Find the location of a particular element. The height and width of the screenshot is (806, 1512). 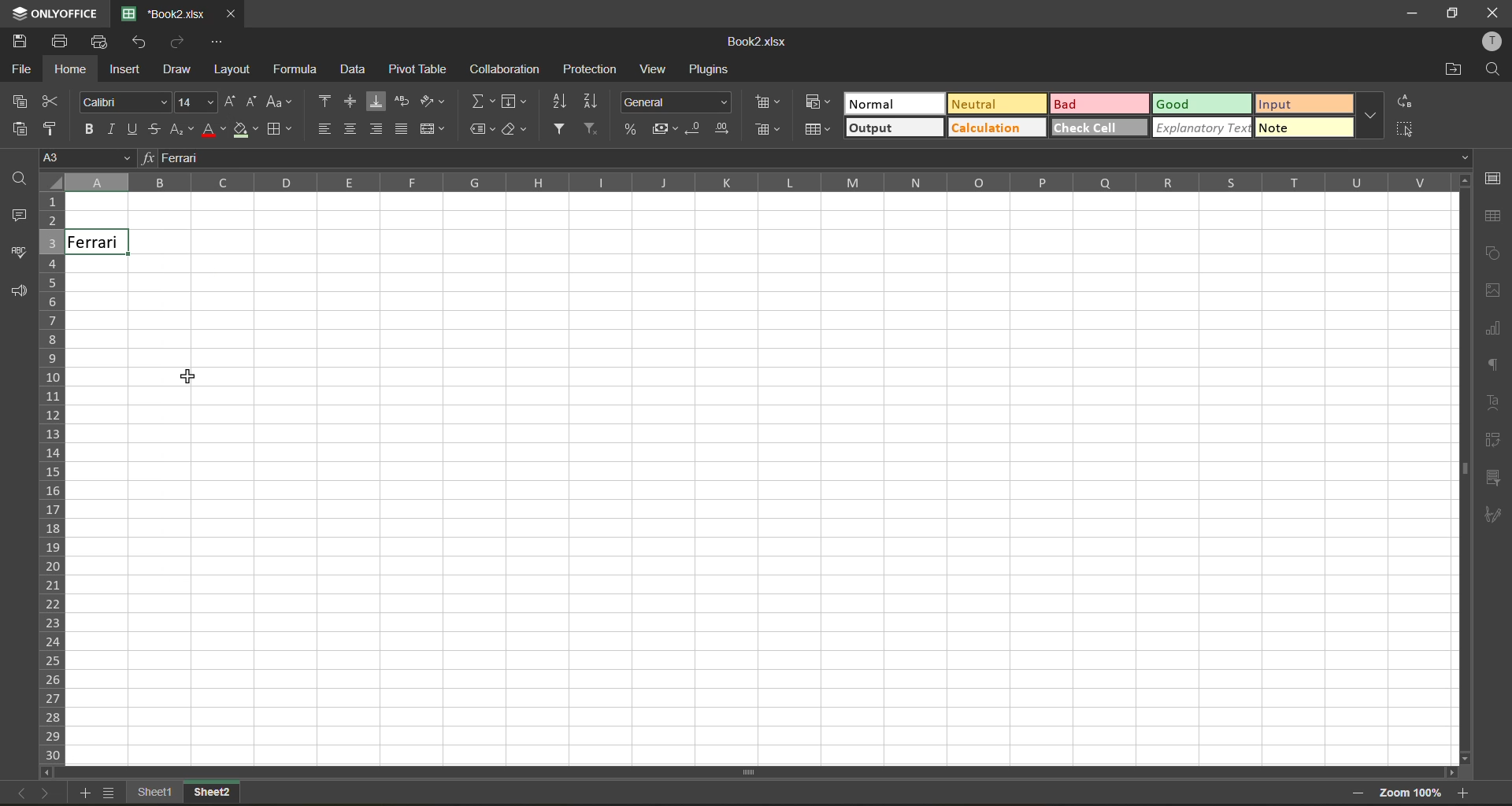

close tab is located at coordinates (232, 14).